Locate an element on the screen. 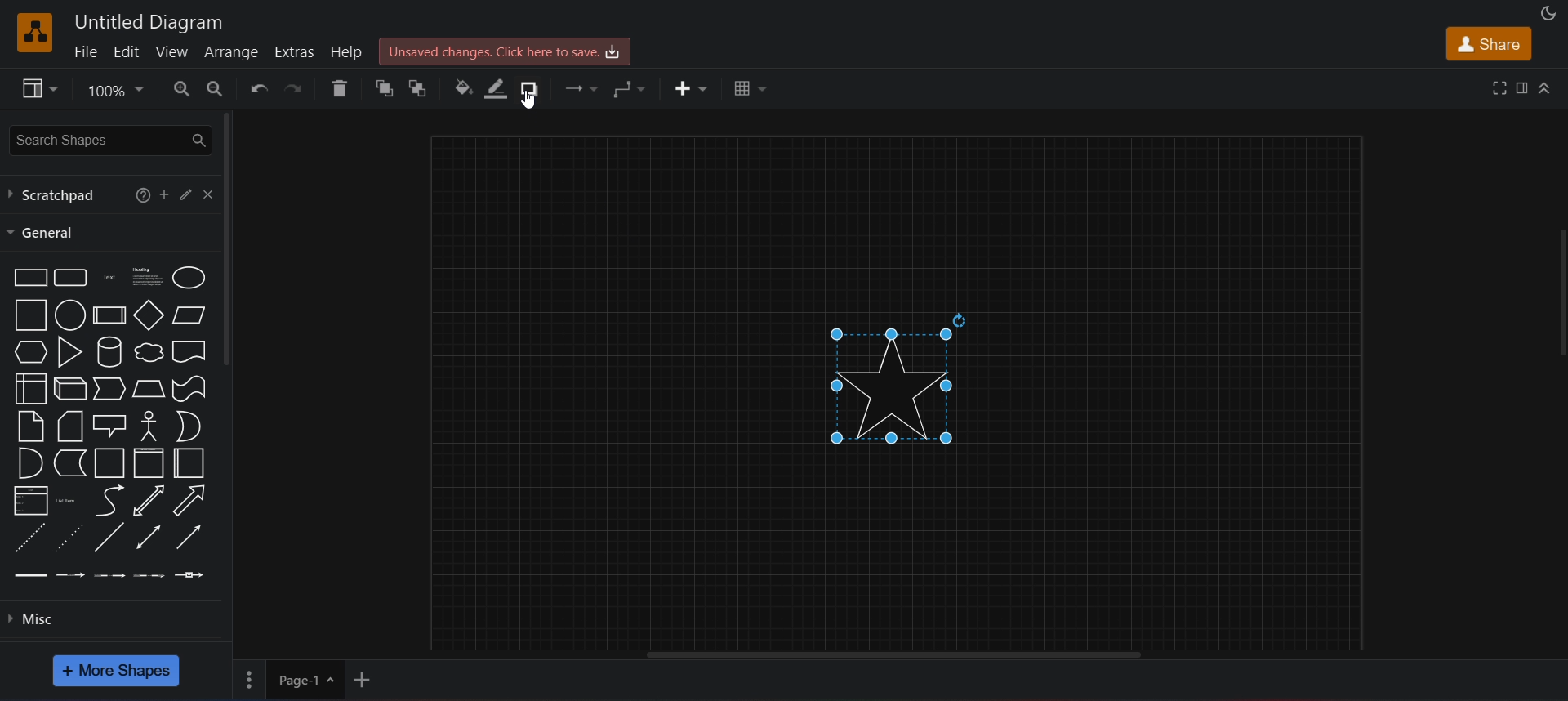 The height and width of the screenshot is (701, 1568). curve is located at coordinates (109, 500).